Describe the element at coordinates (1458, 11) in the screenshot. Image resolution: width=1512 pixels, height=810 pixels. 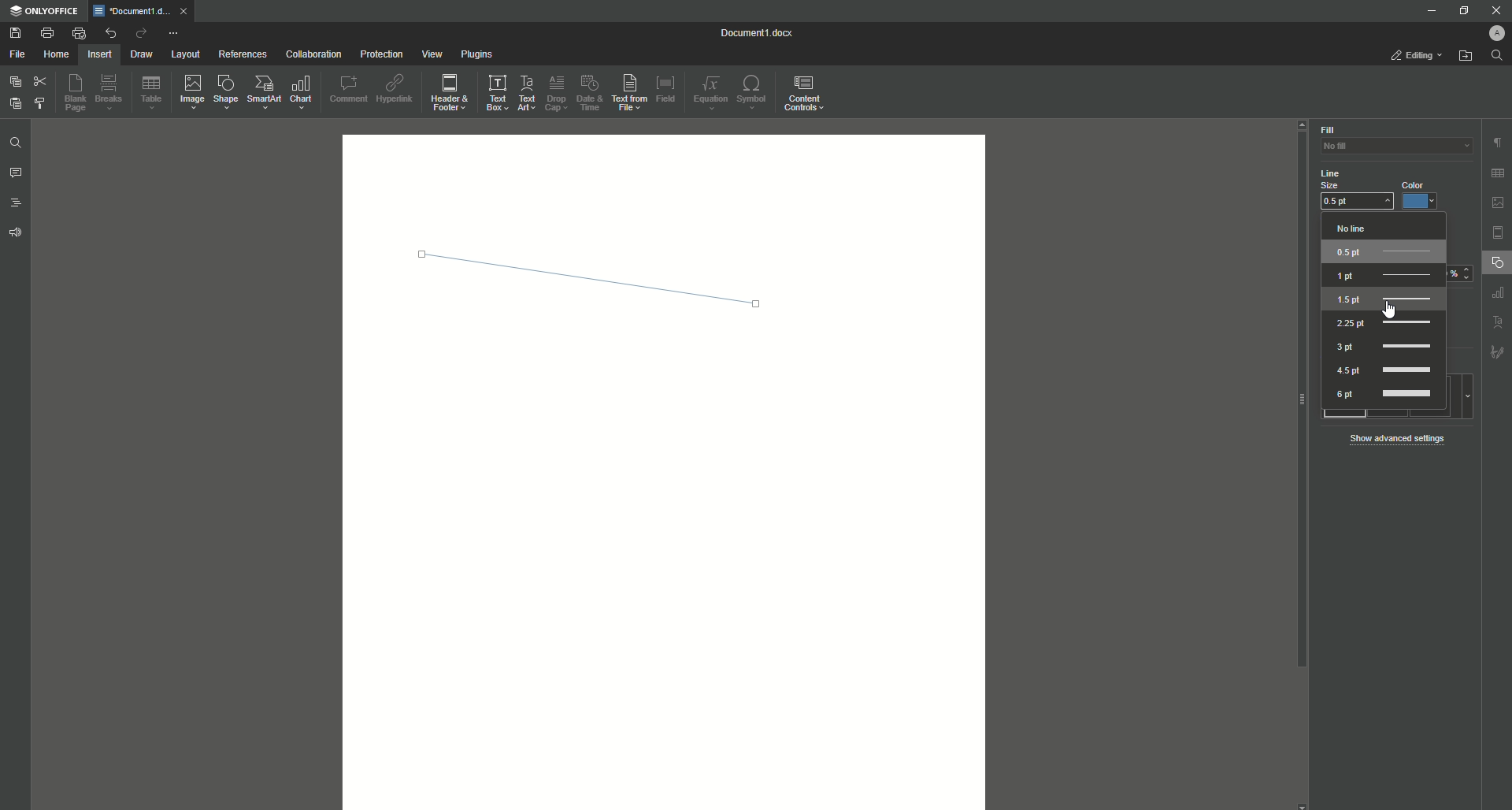
I see `Restore` at that location.